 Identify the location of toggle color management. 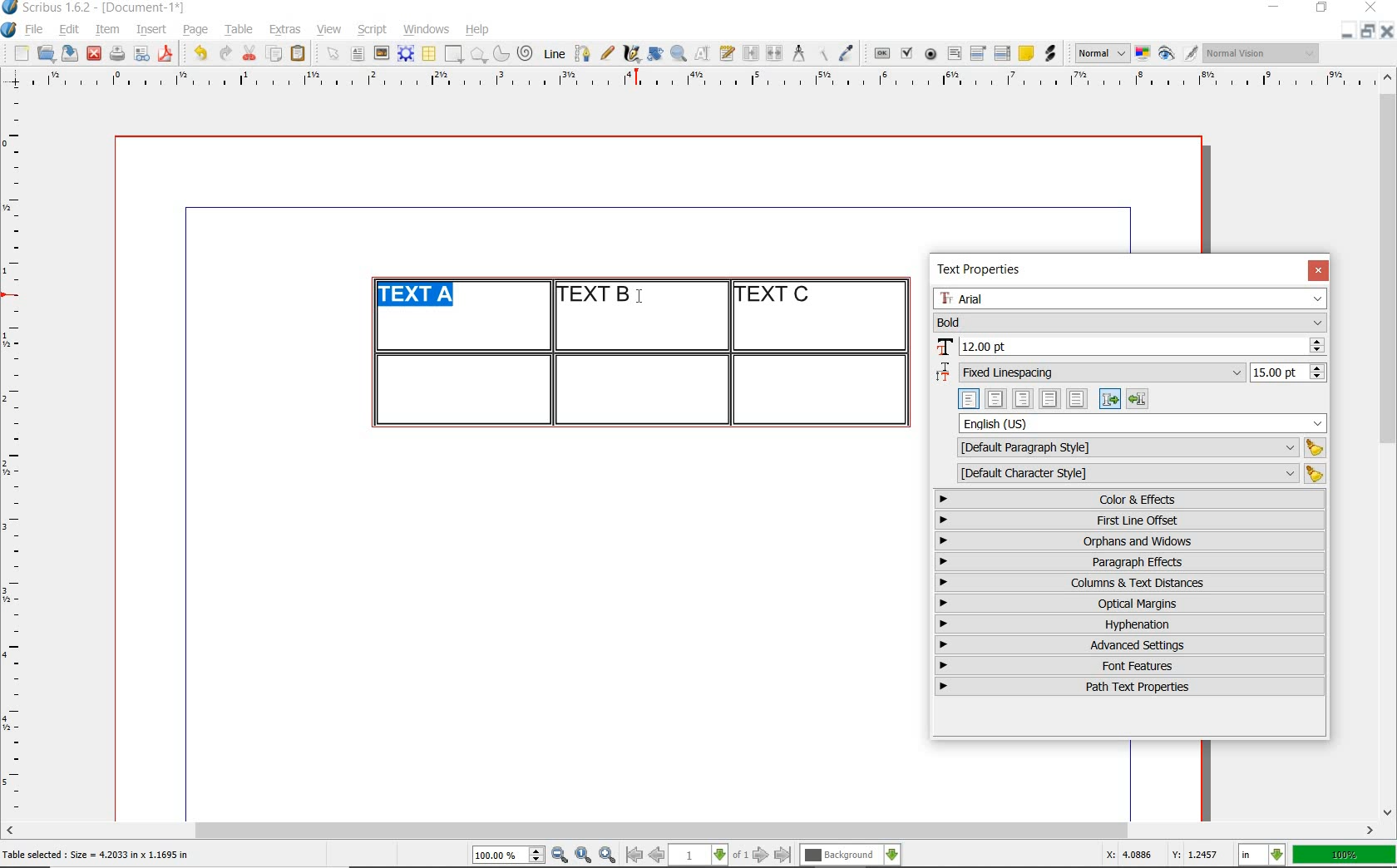
(1144, 55).